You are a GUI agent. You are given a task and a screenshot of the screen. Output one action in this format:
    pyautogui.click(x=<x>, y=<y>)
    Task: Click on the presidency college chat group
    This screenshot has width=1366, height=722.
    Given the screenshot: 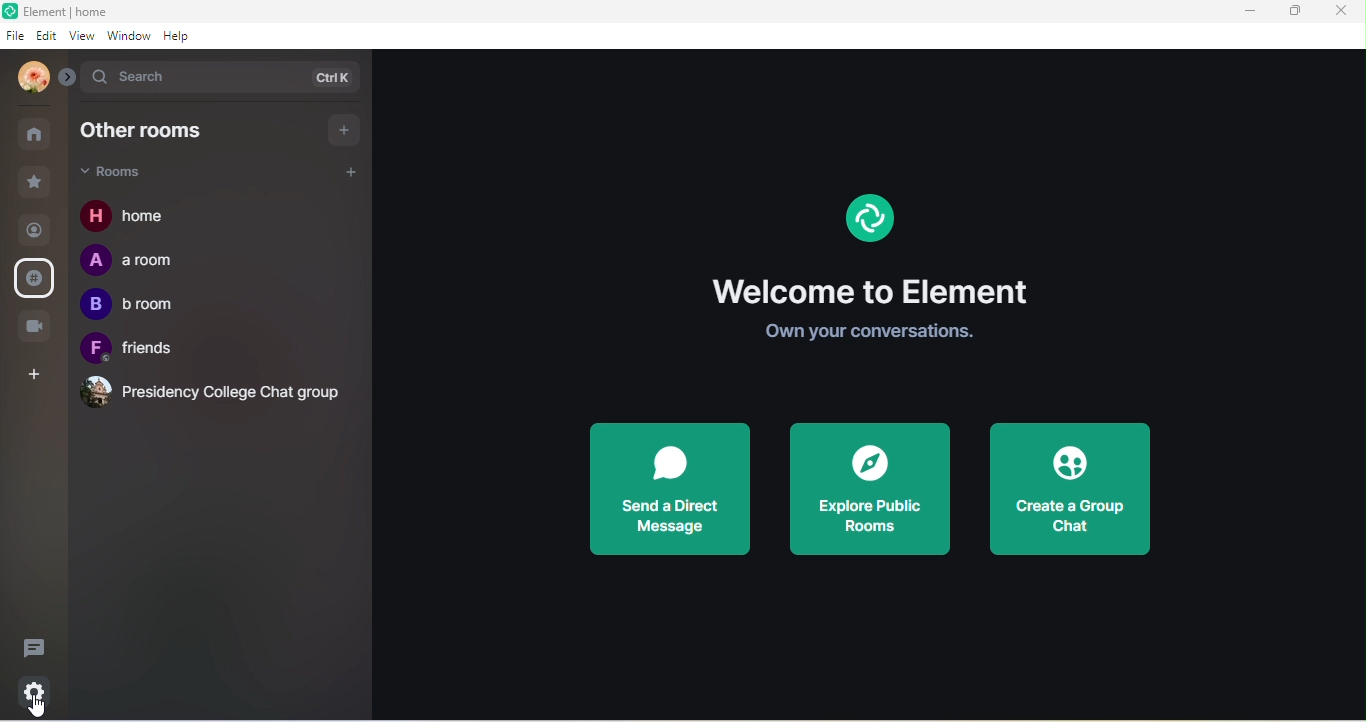 What is the action you would take?
    pyautogui.click(x=207, y=391)
    